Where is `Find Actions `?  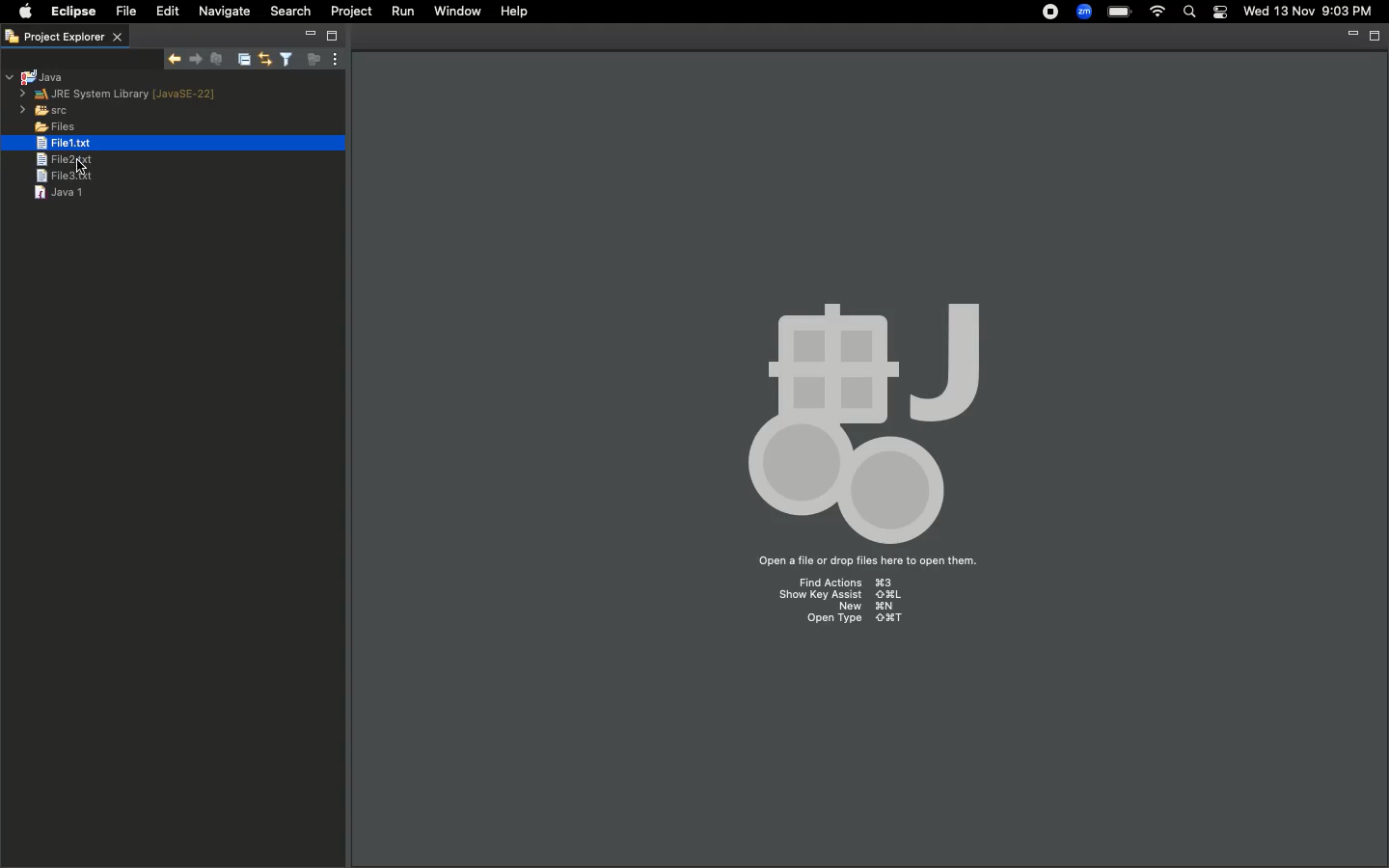 Find Actions  is located at coordinates (855, 583).